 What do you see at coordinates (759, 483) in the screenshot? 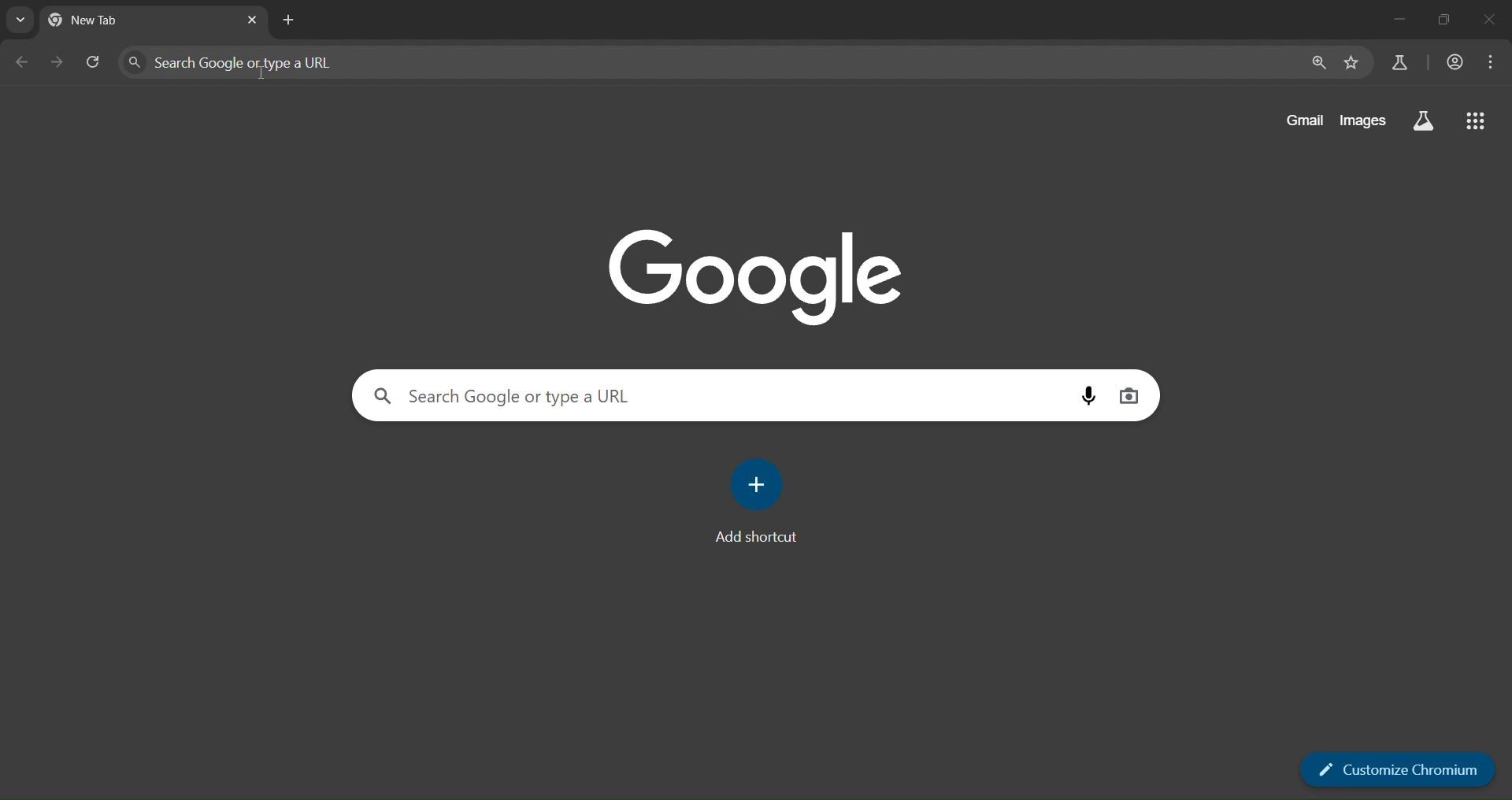
I see `add shortcut` at bounding box center [759, 483].